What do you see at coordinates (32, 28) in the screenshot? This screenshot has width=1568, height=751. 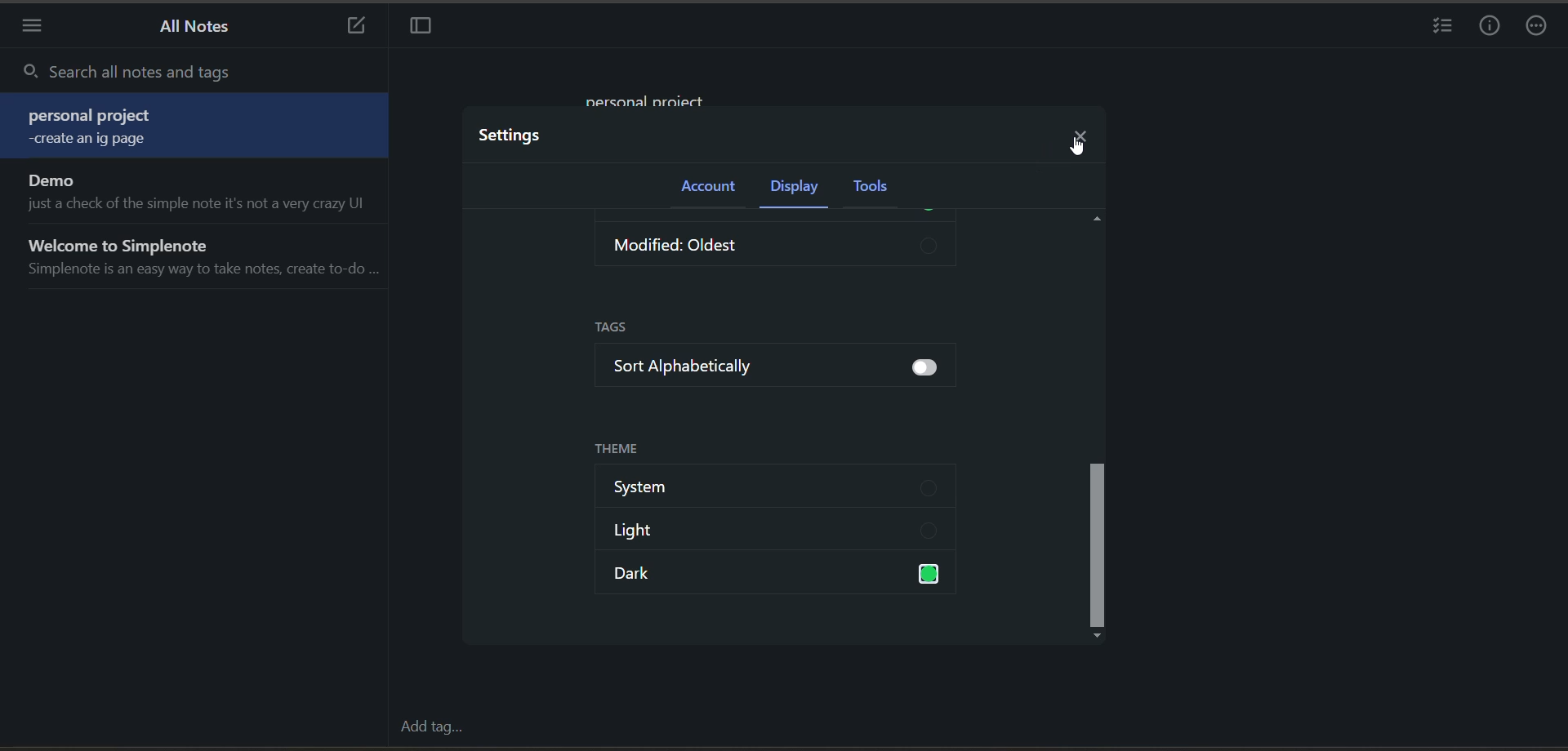 I see `menu` at bounding box center [32, 28].